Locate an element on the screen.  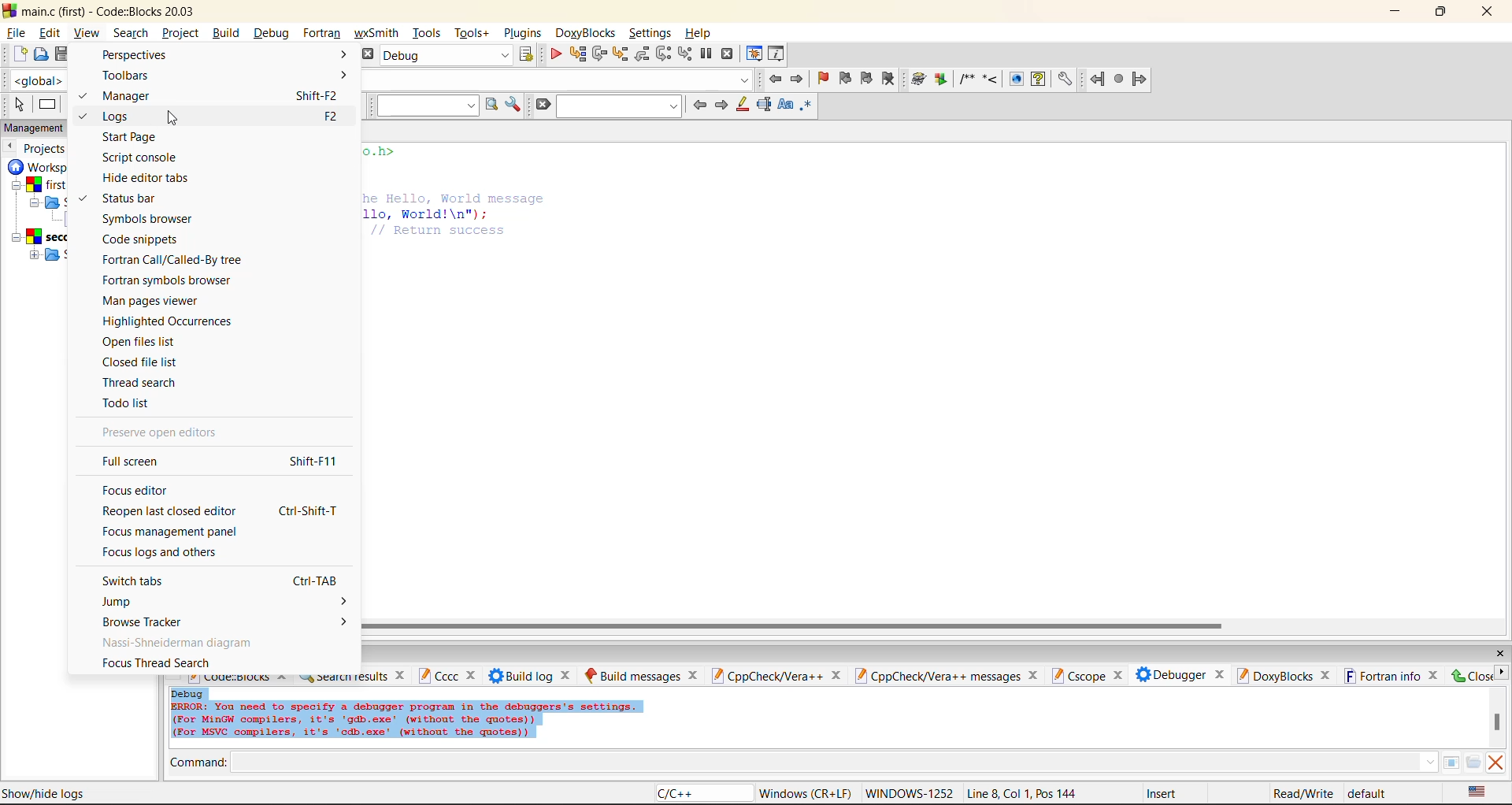
clear output window is located at coordinates (1493, 764).